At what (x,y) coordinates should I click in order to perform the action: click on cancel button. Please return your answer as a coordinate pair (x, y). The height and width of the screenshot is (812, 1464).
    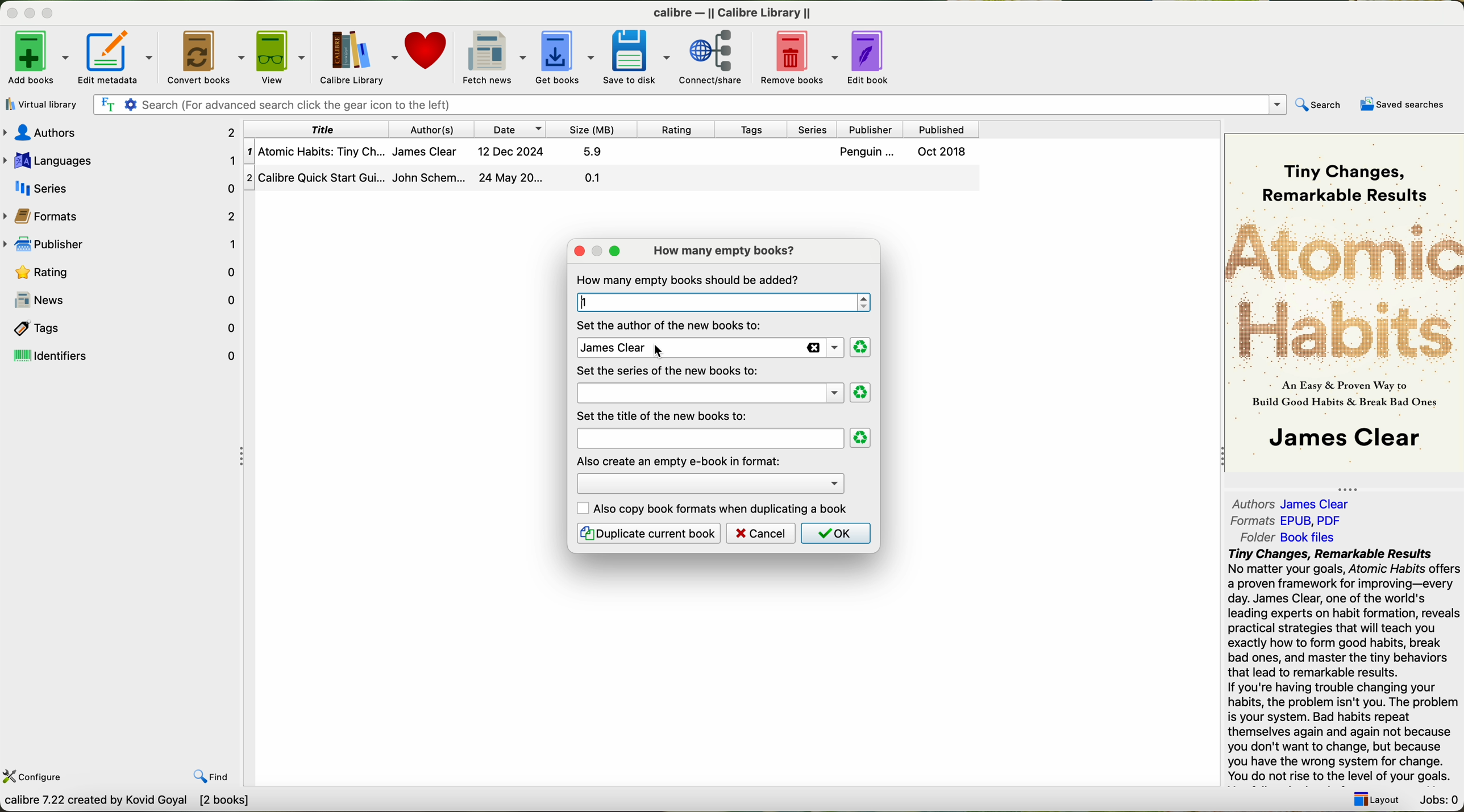
    Looking at the image, I should click on (761, 533).